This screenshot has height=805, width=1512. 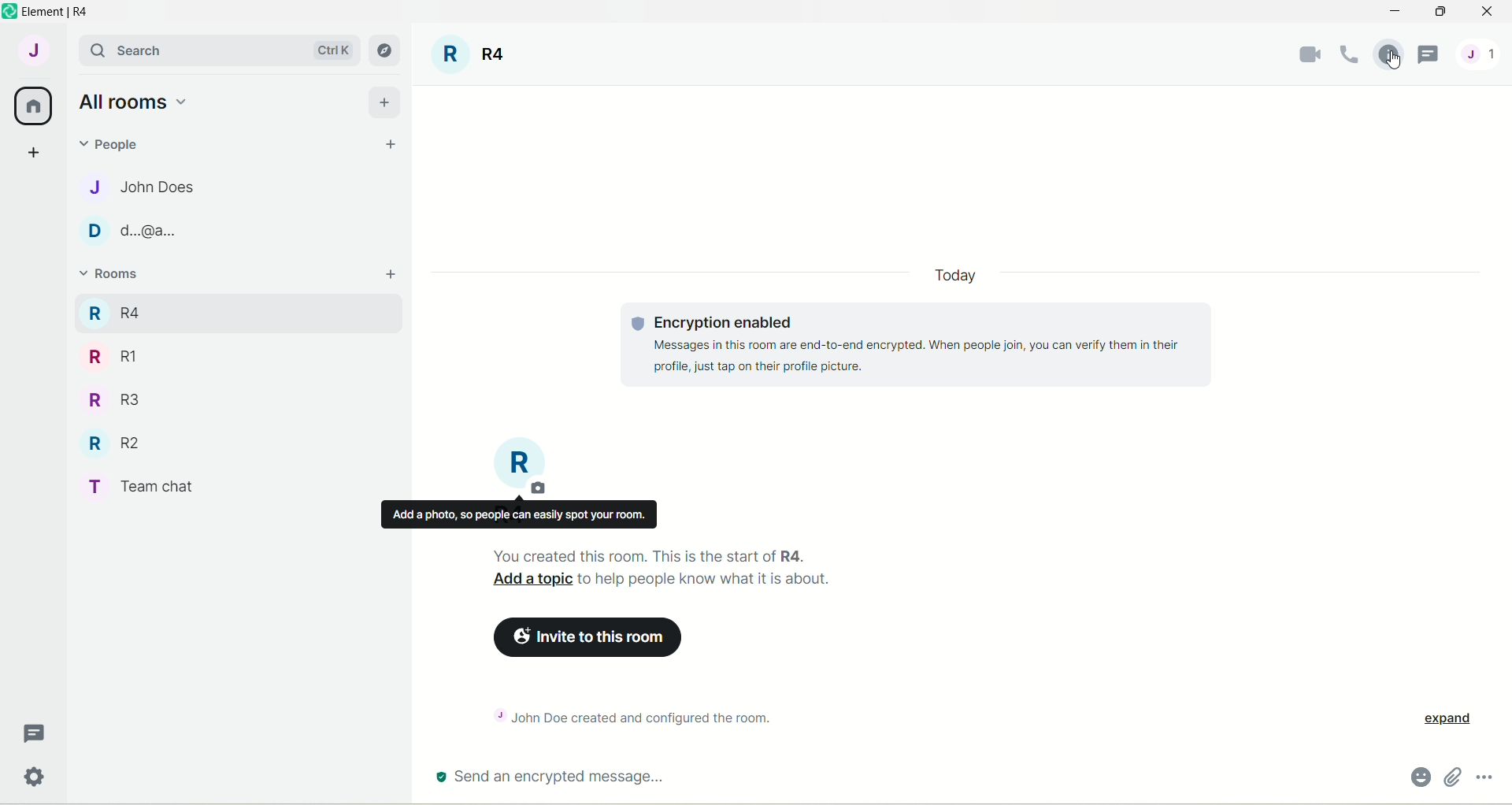 I want to click on threads, so click(x=1430, y=56).